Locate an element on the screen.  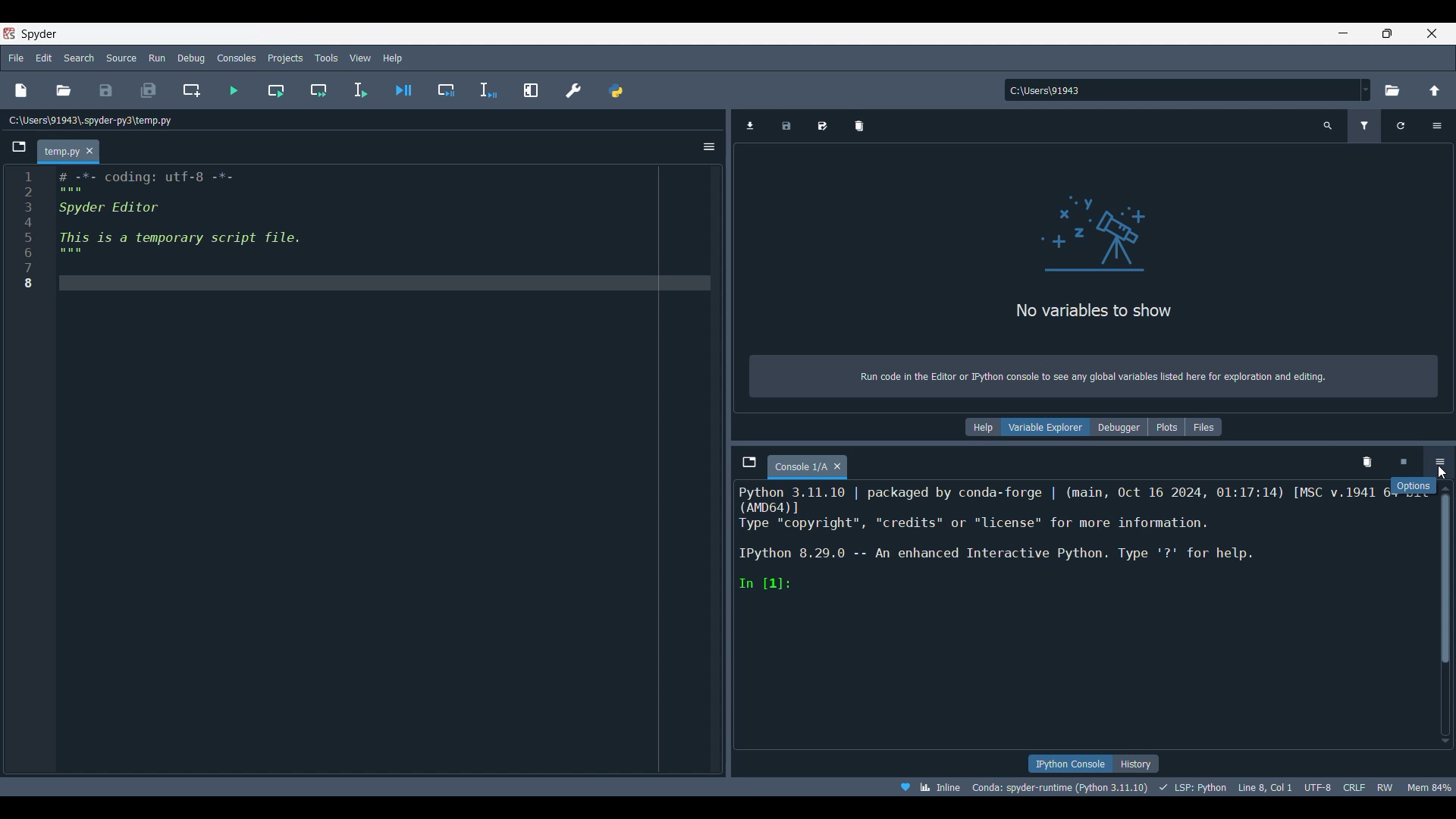
Options, highlighted by cursor is located at coordinates (1439, 463).